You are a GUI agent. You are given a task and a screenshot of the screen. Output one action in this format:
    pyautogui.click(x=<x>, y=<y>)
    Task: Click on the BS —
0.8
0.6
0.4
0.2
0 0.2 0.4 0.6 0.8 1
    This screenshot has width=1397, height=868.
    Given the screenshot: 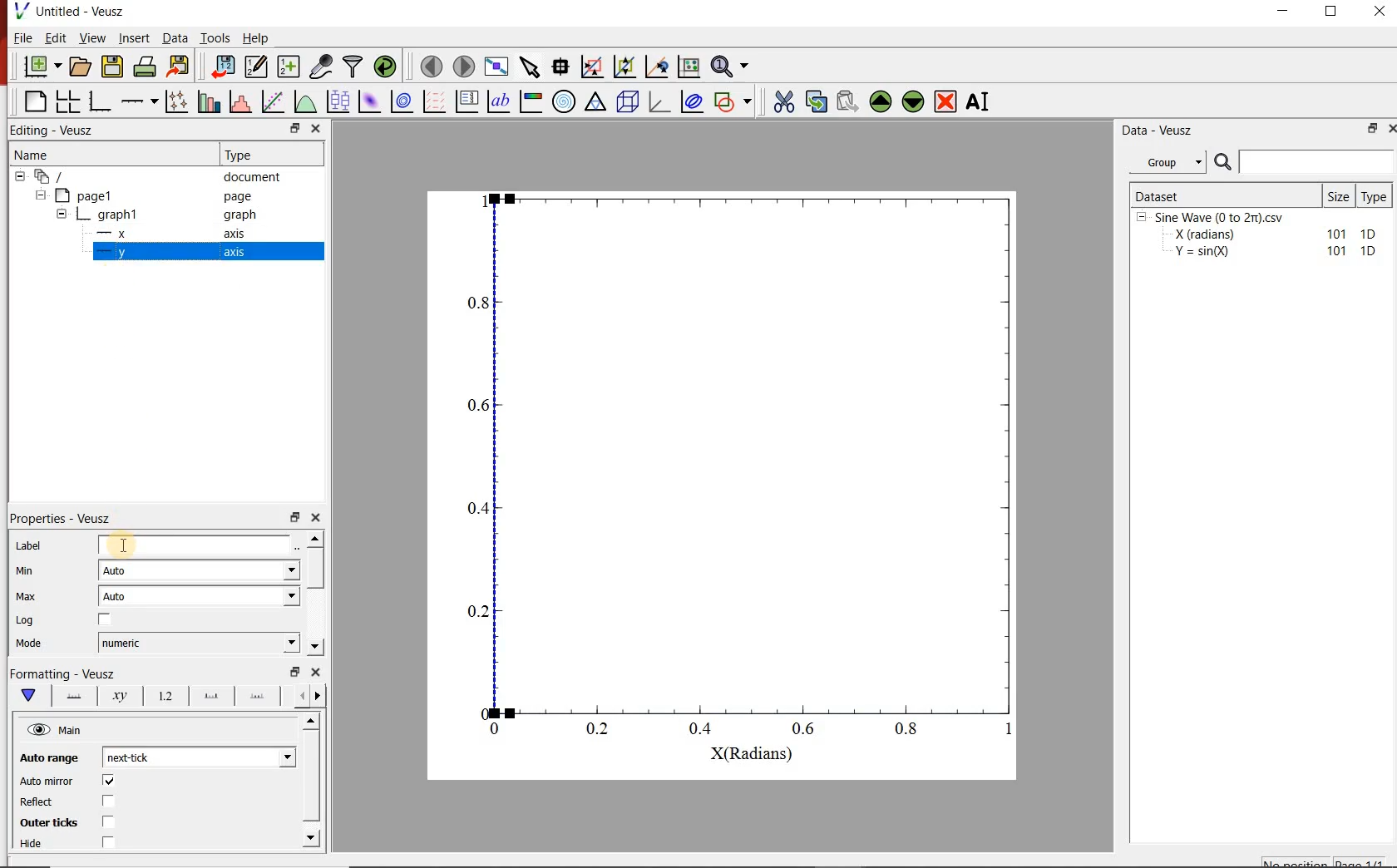 What is the action you would take?
    pyautogui.click(x=743, y=472)
    